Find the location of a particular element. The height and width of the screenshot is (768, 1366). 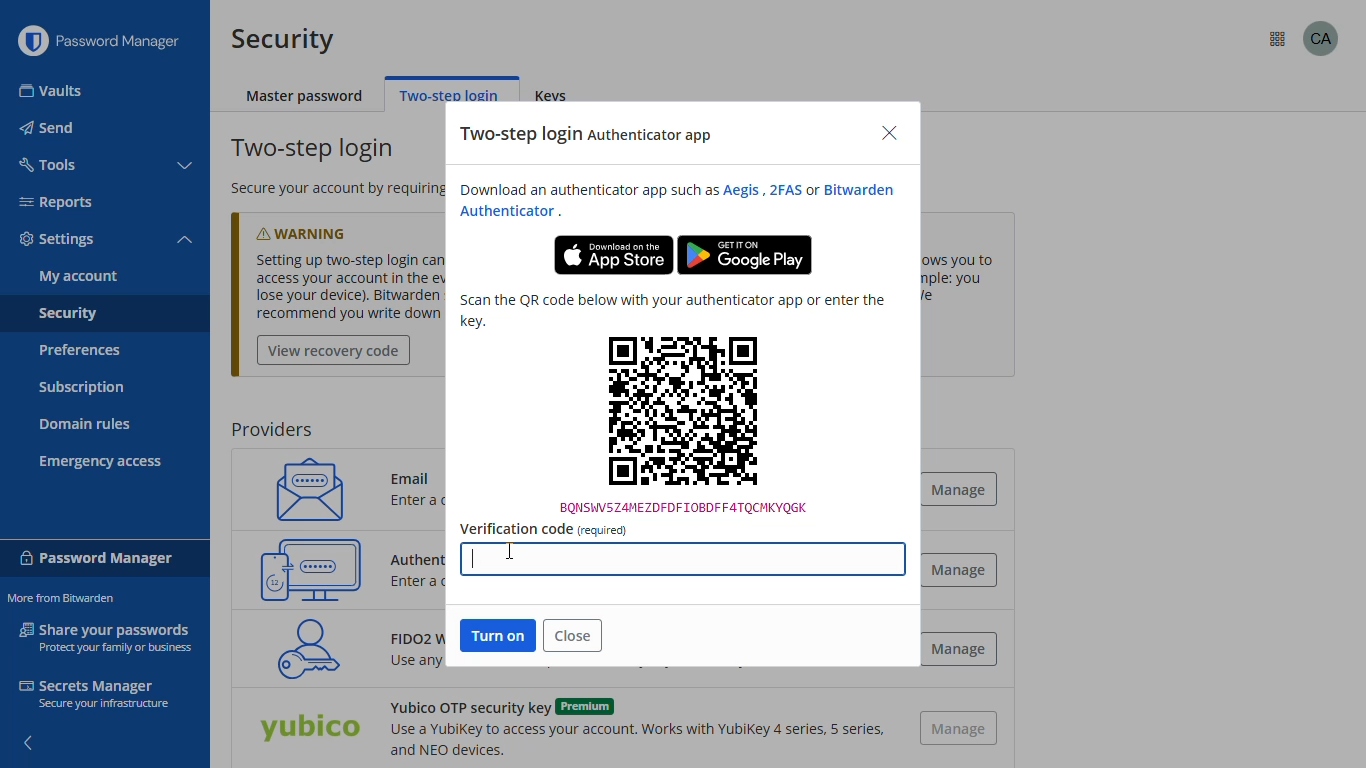

two-step login is located at coordinates (449, 93).